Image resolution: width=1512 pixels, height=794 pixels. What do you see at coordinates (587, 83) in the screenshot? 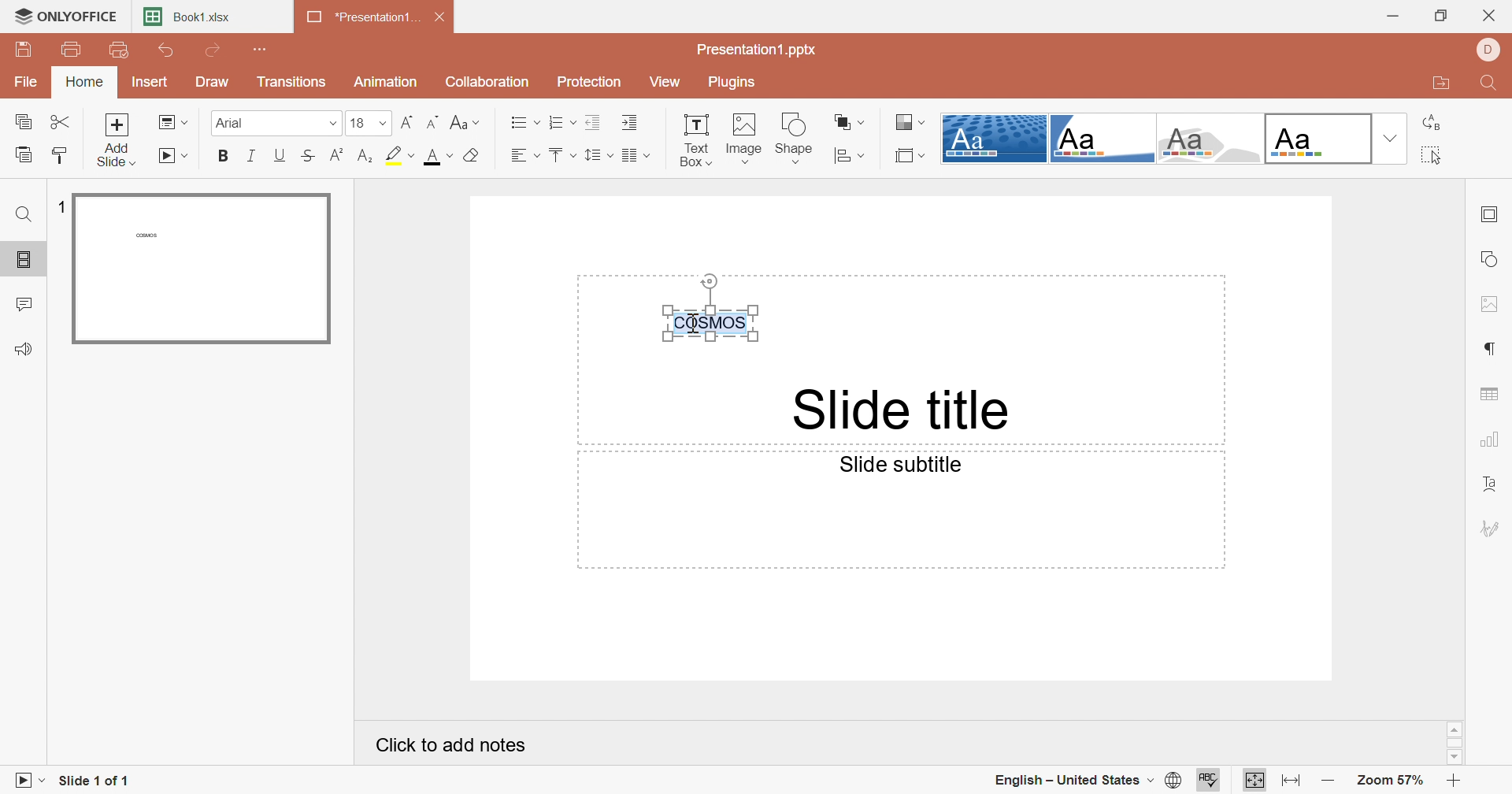
I see `Protection` at bounding box center [587, 83].